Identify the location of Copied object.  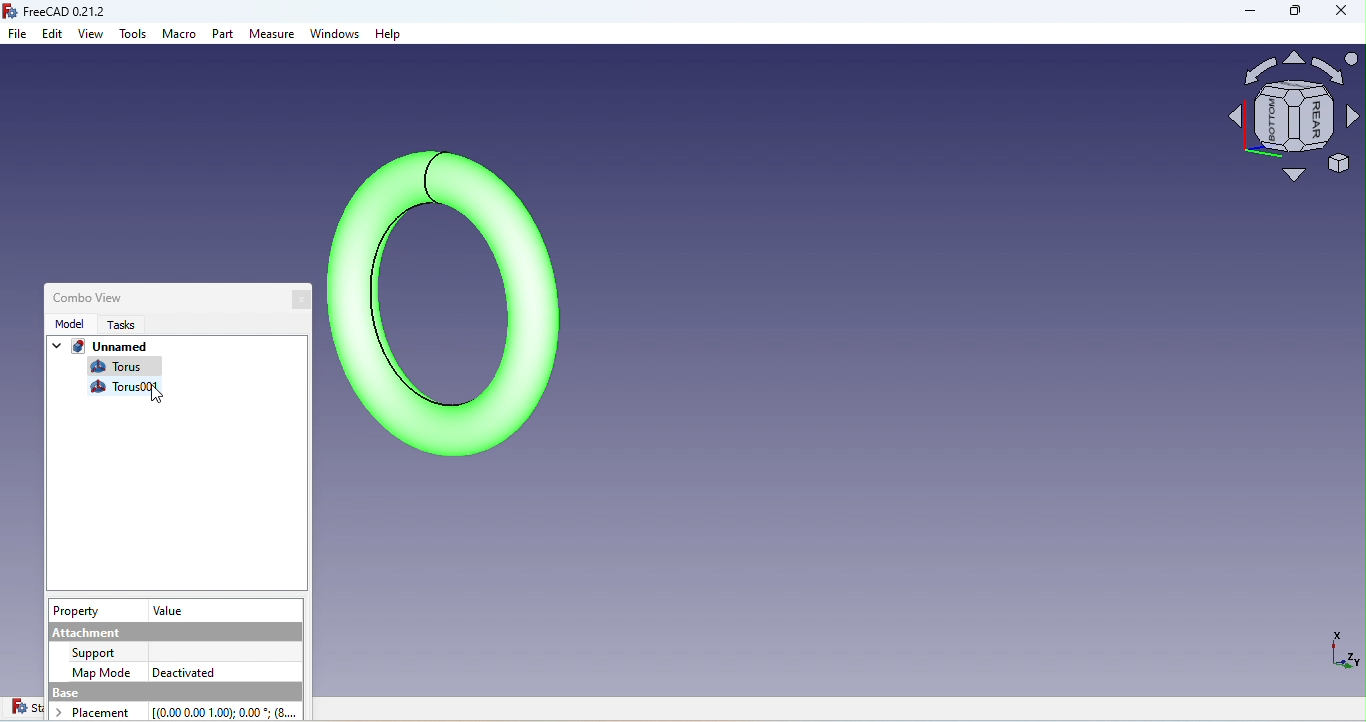
(131, 388).